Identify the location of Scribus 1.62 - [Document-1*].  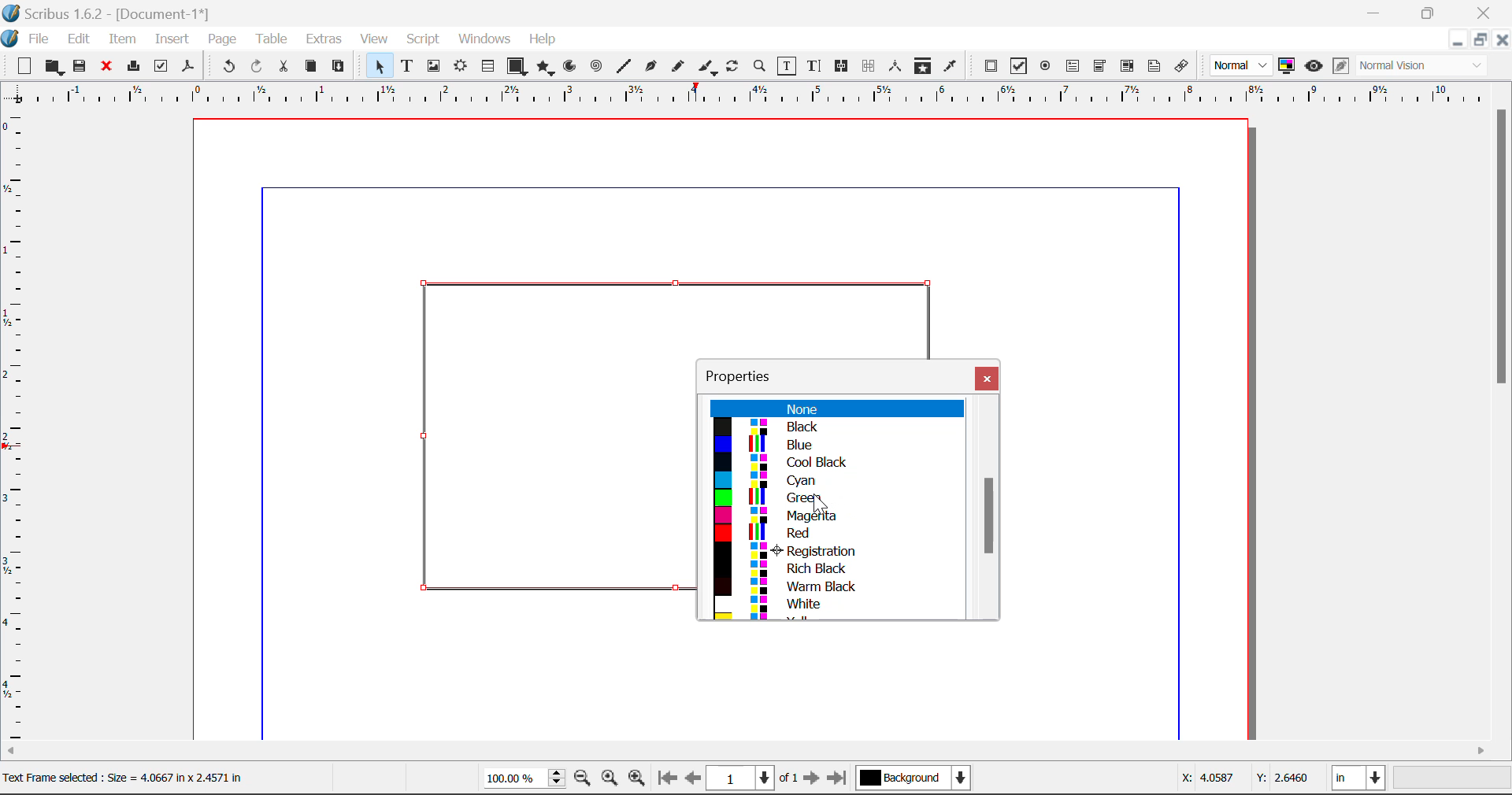
(113, 11).